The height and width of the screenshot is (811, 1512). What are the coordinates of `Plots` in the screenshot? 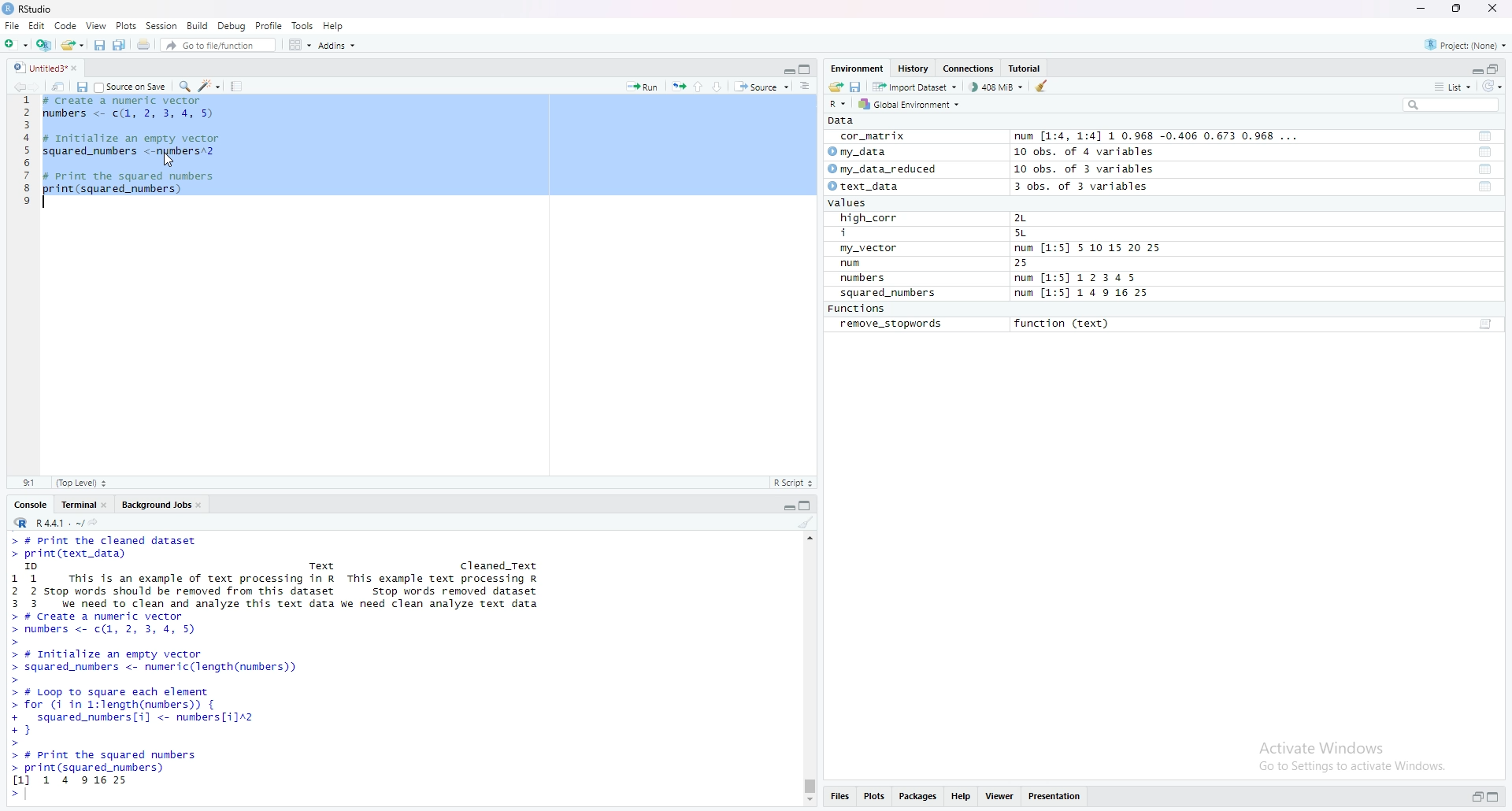 It's located at (874, 798).